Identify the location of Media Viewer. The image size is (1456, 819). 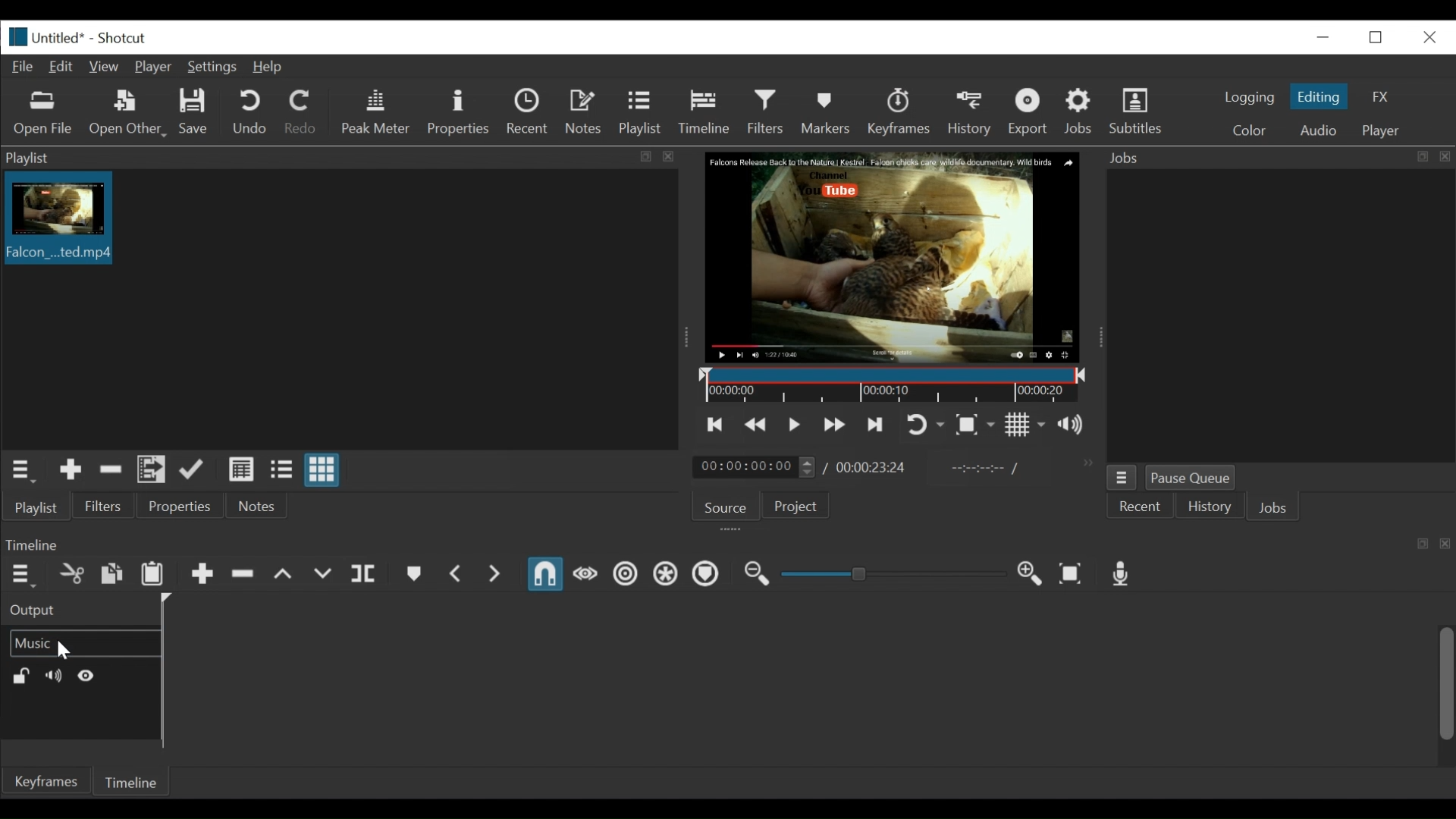
(893, 259).